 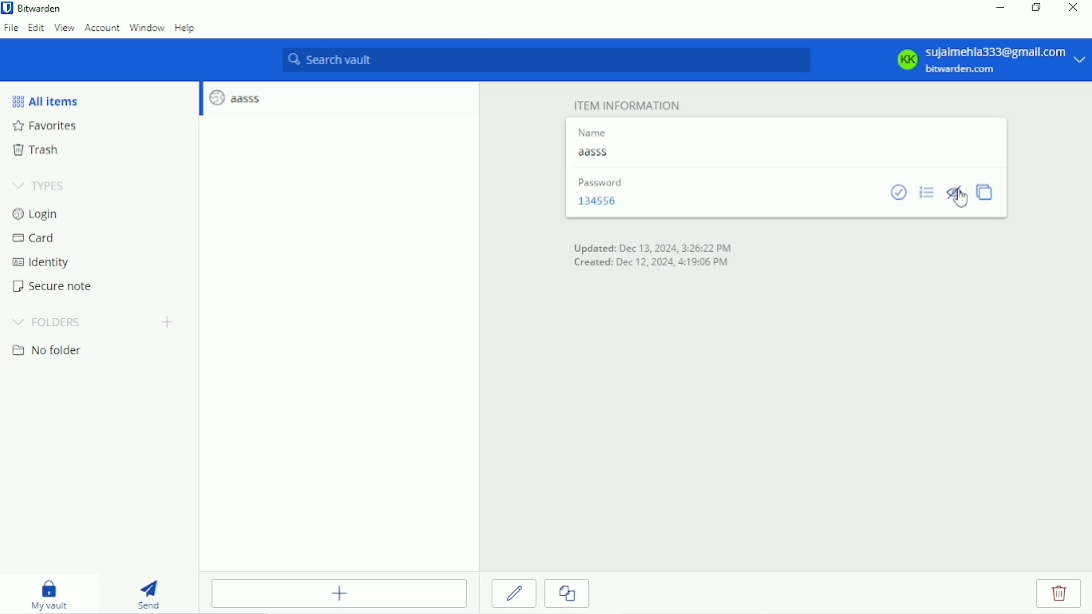 What do you see at coordinates (37, 238) in the screenshot?
I see `Card` at bounding box center [37, 238].